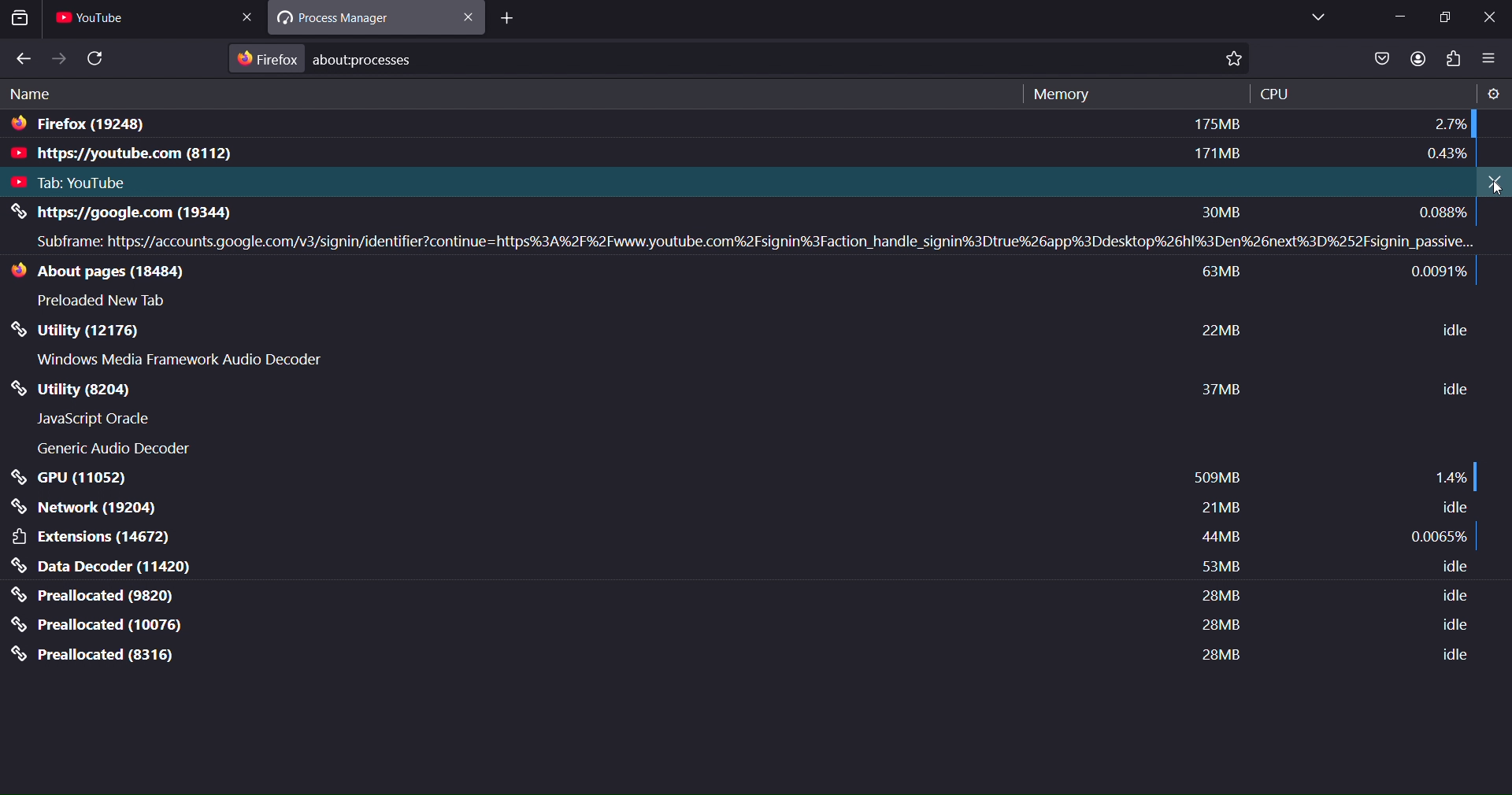  What do you see at coordinates (1217, 626) in the screenshot?
I see `28 mb` at bounding box center [1217, 626].